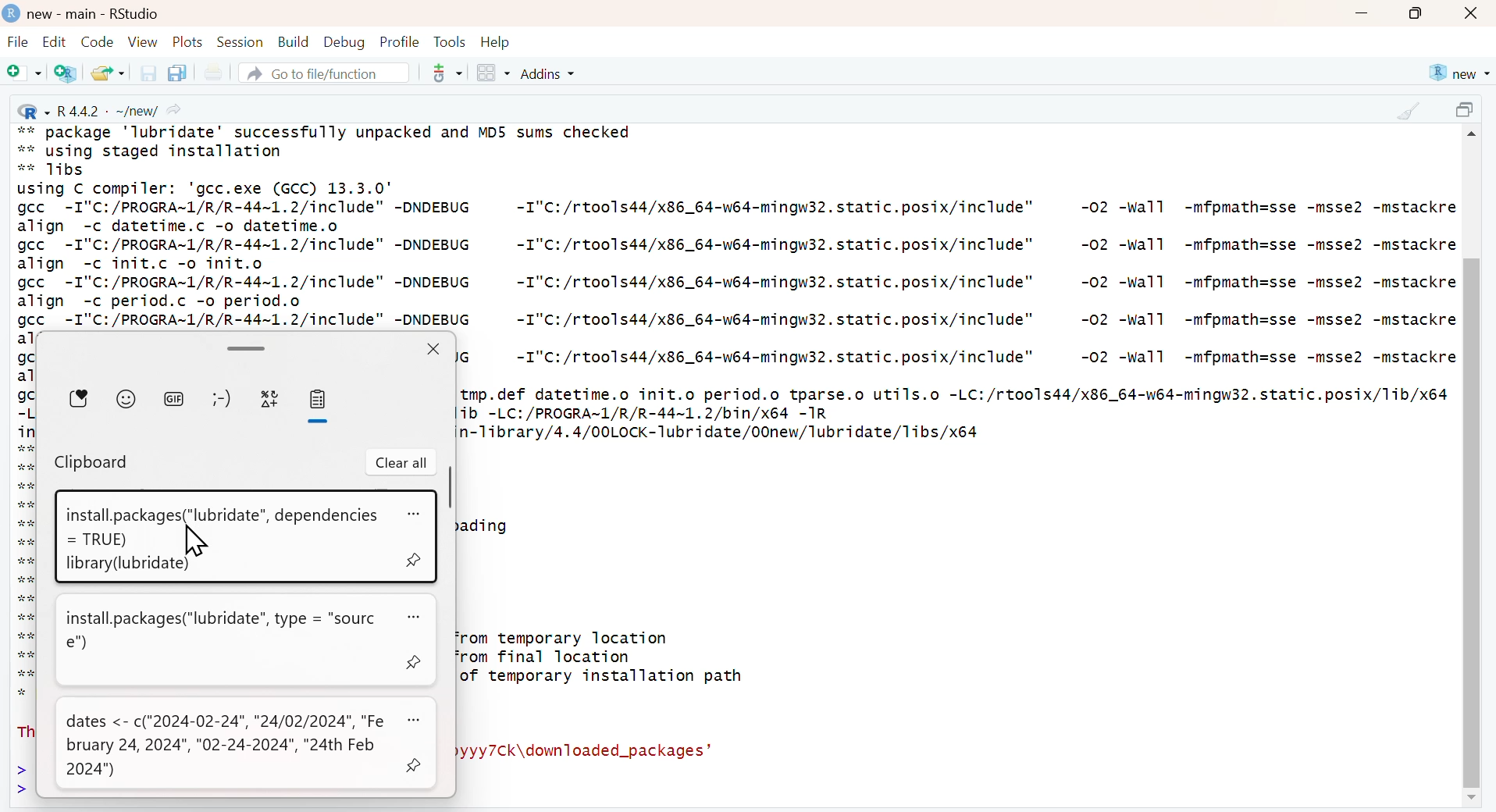  Describe the element at coordinates (244, 347) in the screenshot. I see `scroll bar` at that location.